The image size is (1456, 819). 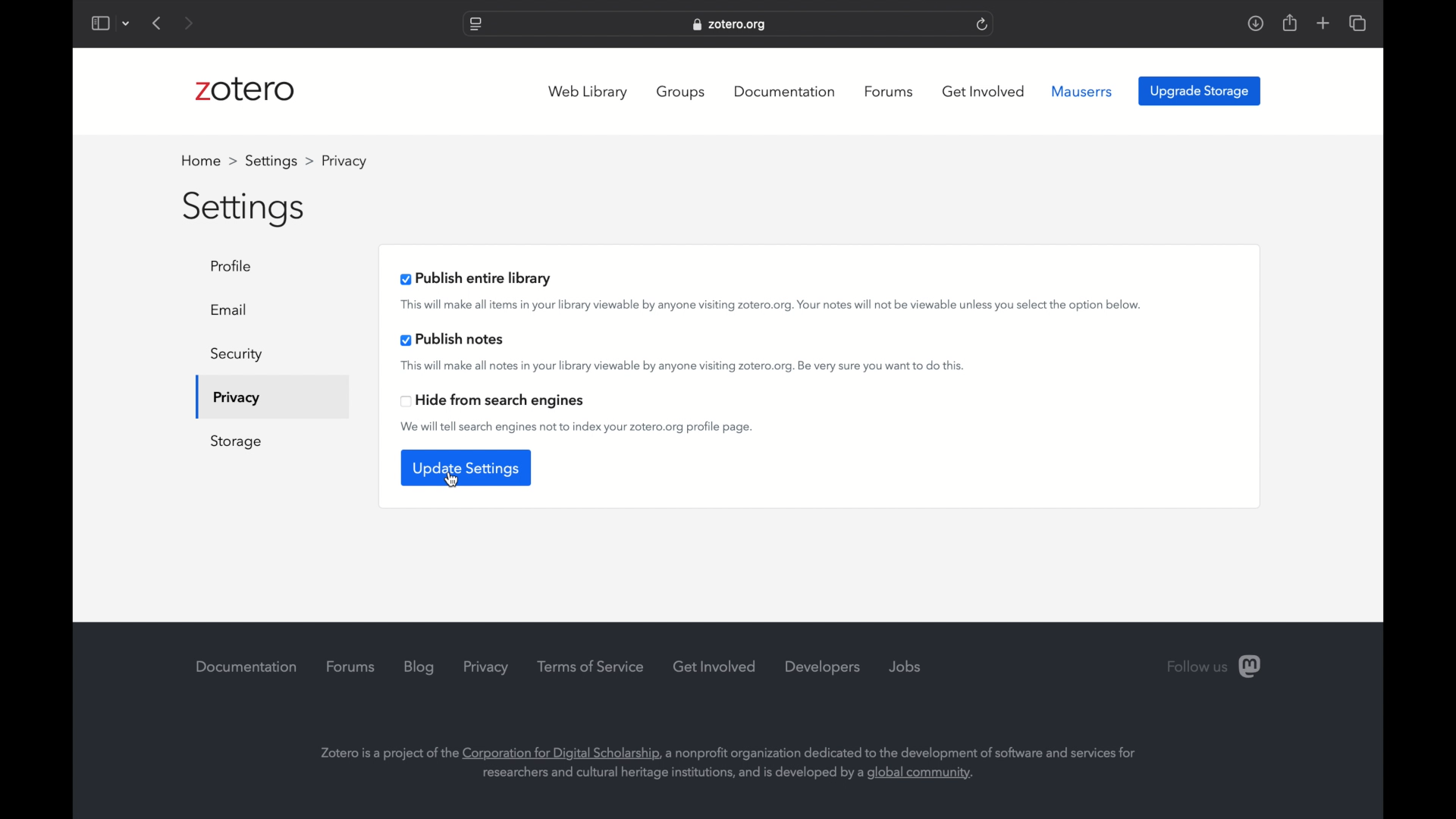 What do you see at coordinates (474, 25) in the screenshot?
I see `website settings` at bounding box center [474, 25].